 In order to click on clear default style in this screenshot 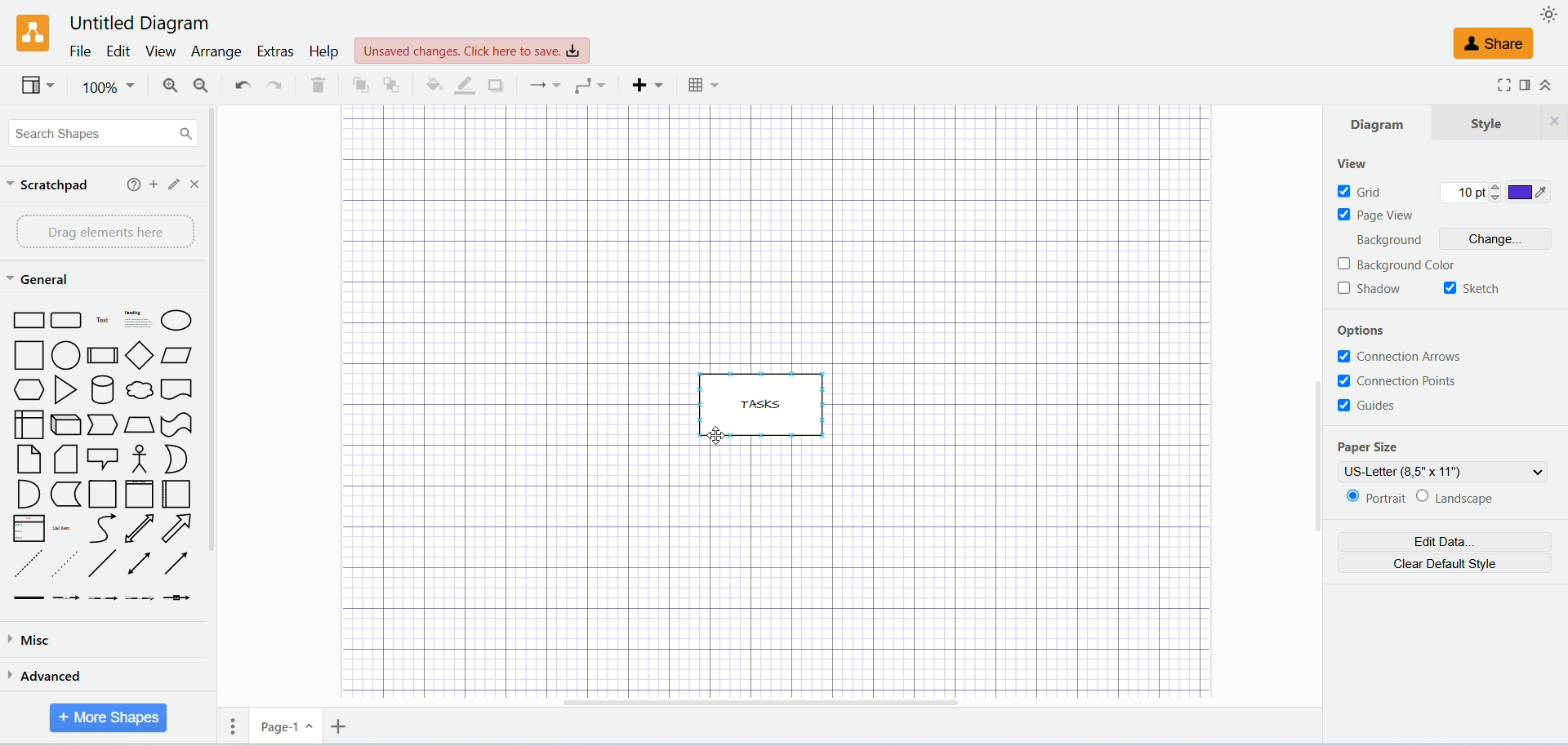, I will do `click(1445, 564)`.